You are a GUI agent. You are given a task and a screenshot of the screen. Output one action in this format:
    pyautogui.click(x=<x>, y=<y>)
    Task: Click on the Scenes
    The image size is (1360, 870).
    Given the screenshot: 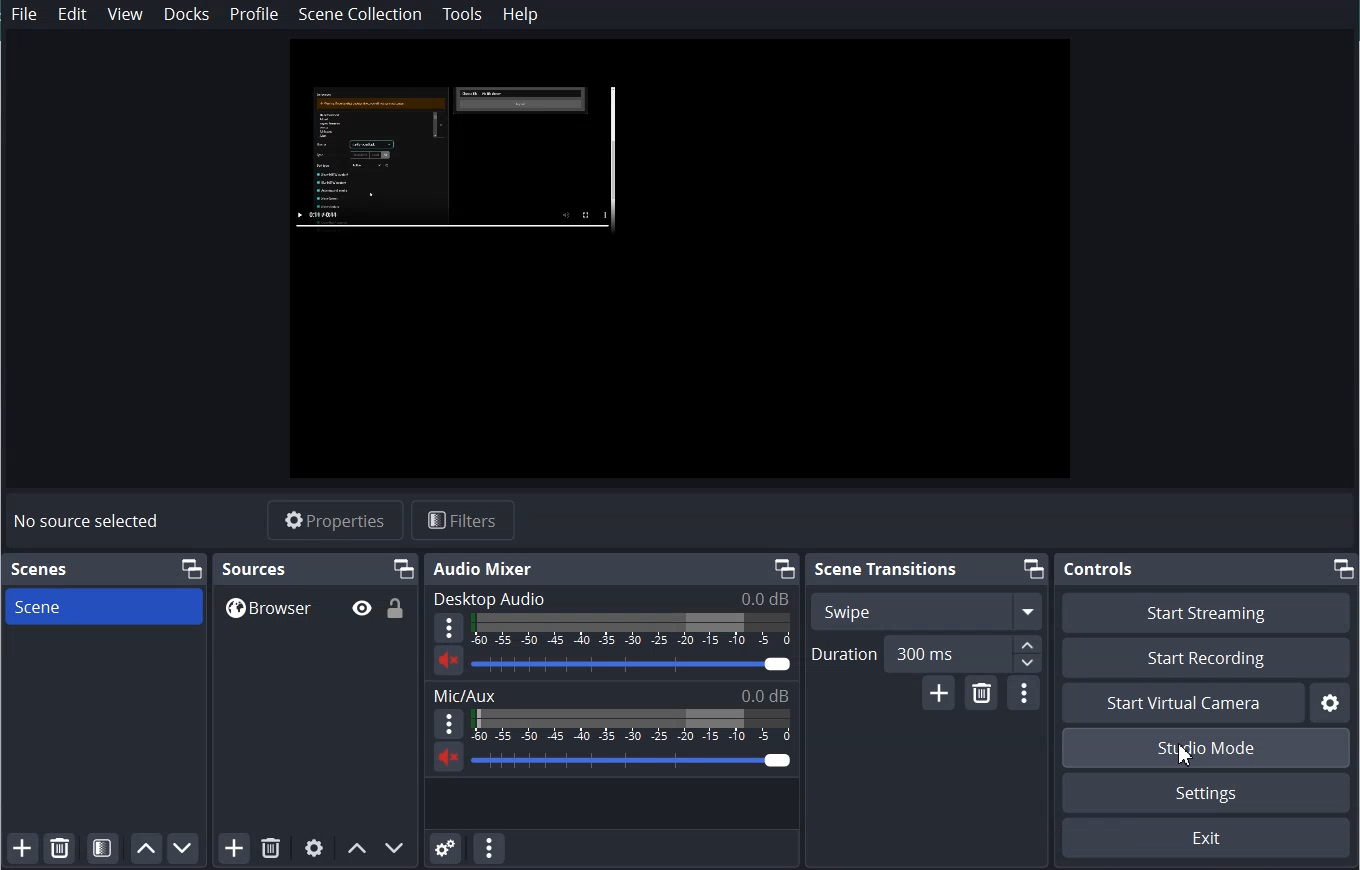 What is the action you would take?
    pyautogui.click(x=39, y=569)
    